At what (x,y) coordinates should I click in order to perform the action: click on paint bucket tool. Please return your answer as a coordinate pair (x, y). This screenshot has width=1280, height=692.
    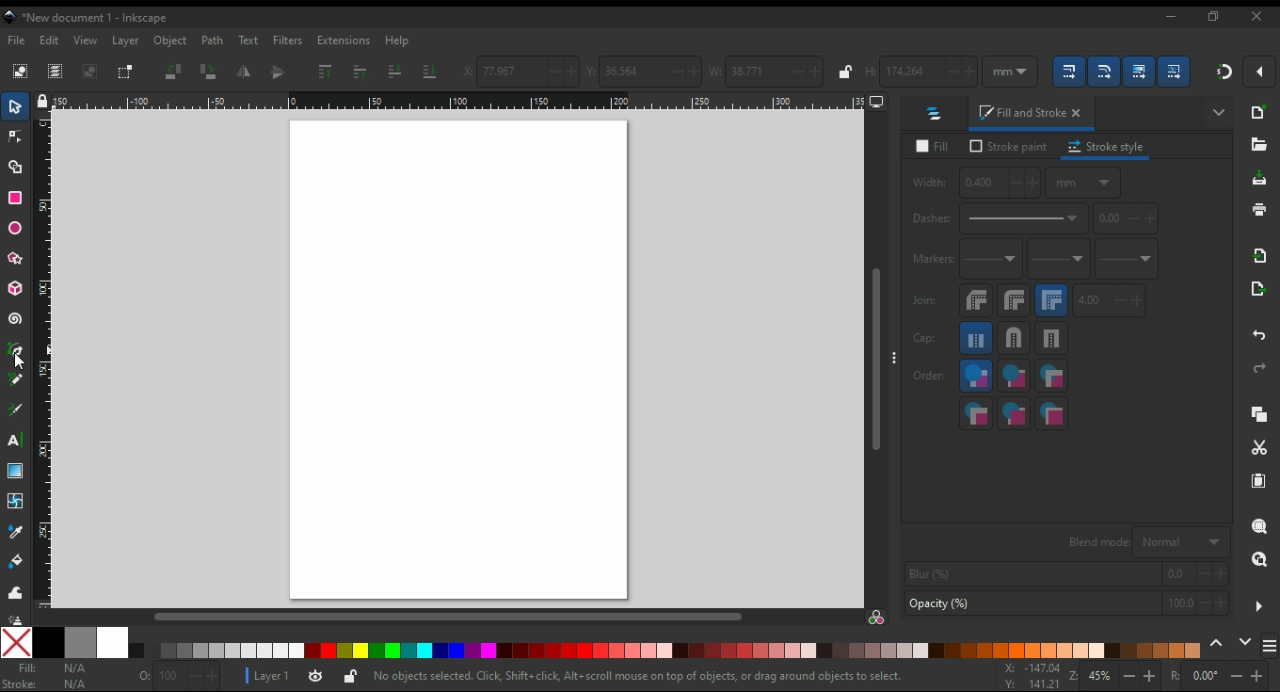
    Looking at the image, I should click on (14, 562).